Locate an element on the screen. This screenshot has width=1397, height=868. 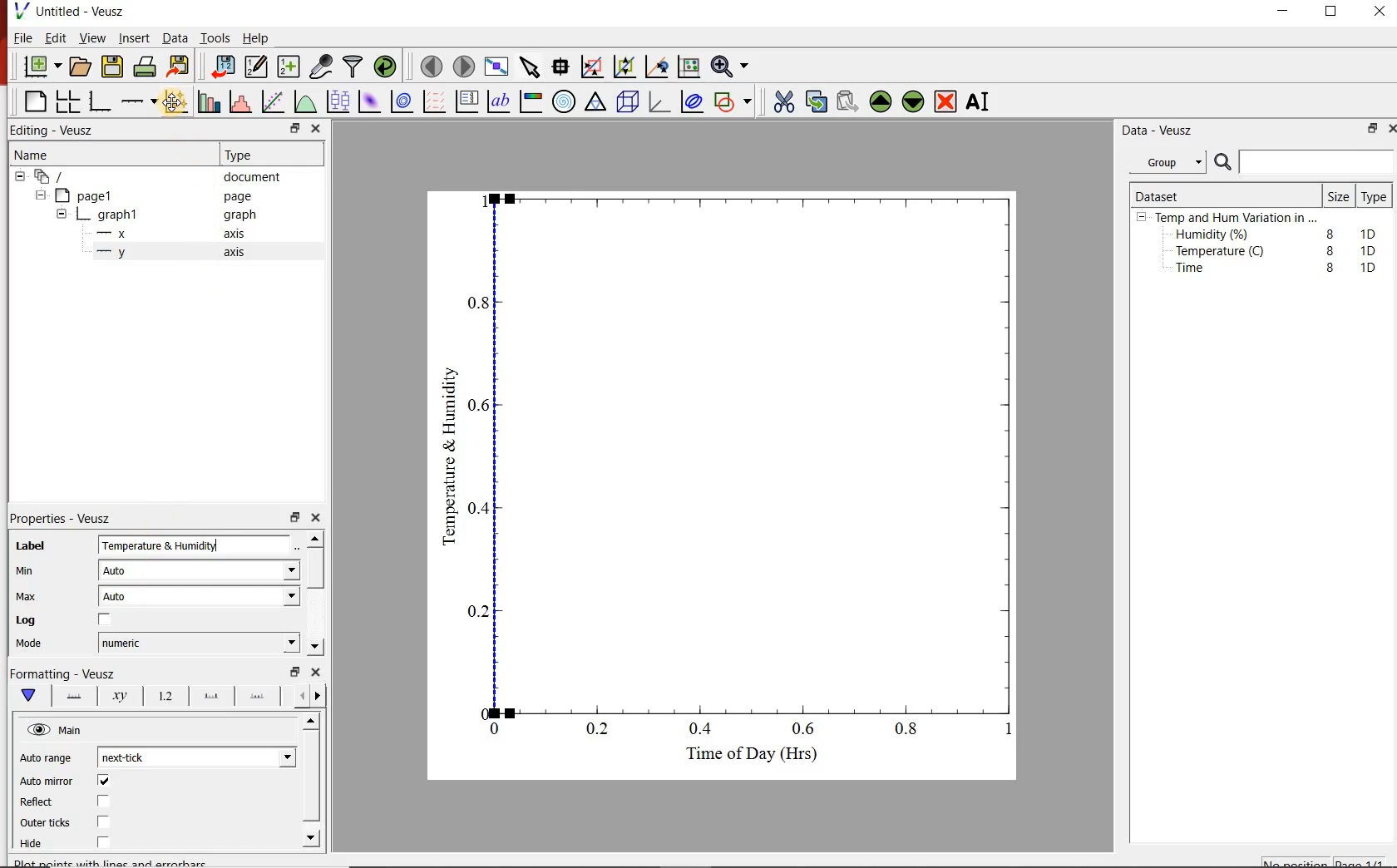
Search bar is located at coordinates (1304, 162).